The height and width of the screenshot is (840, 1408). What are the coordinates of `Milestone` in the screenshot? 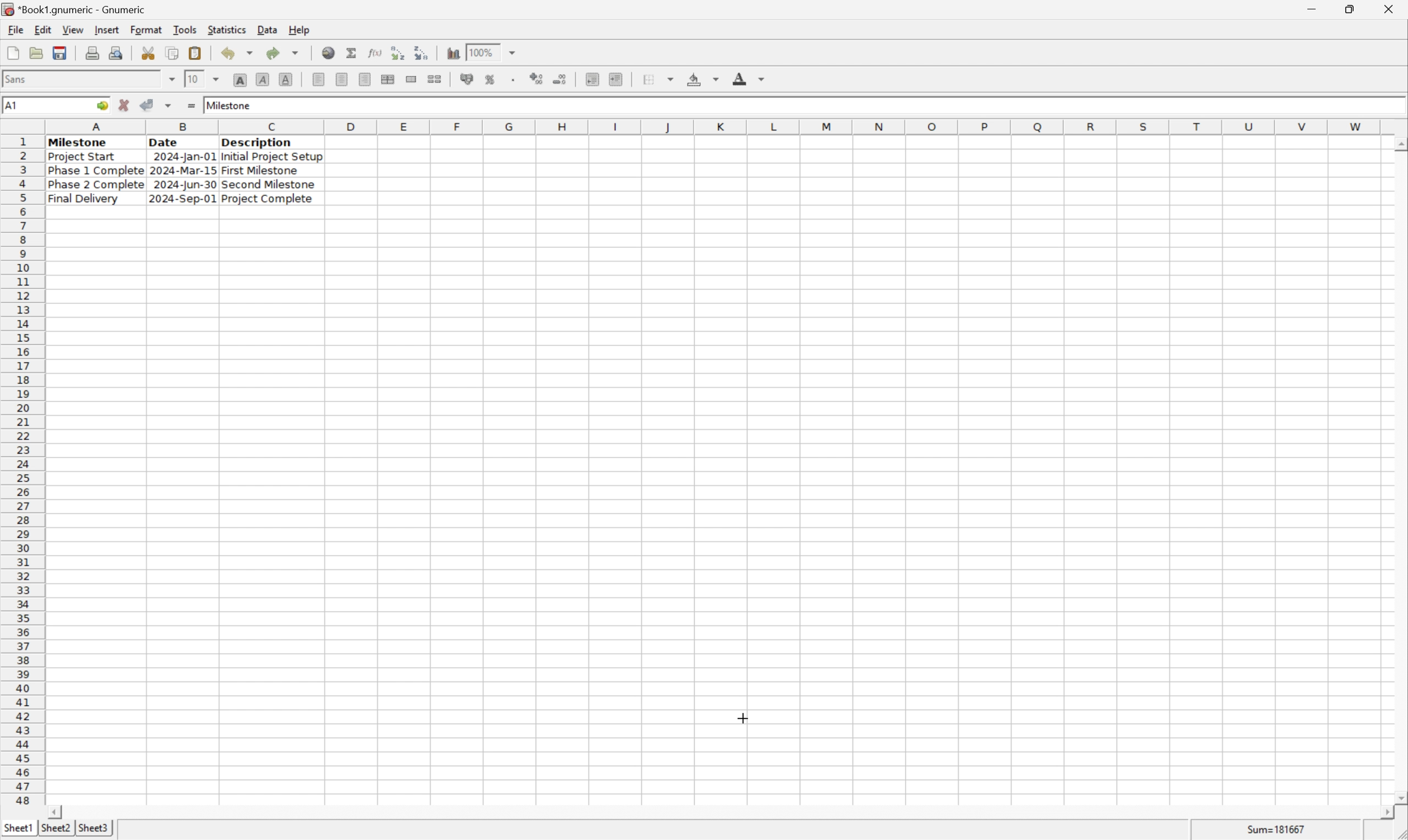 It's located at (230, 104).